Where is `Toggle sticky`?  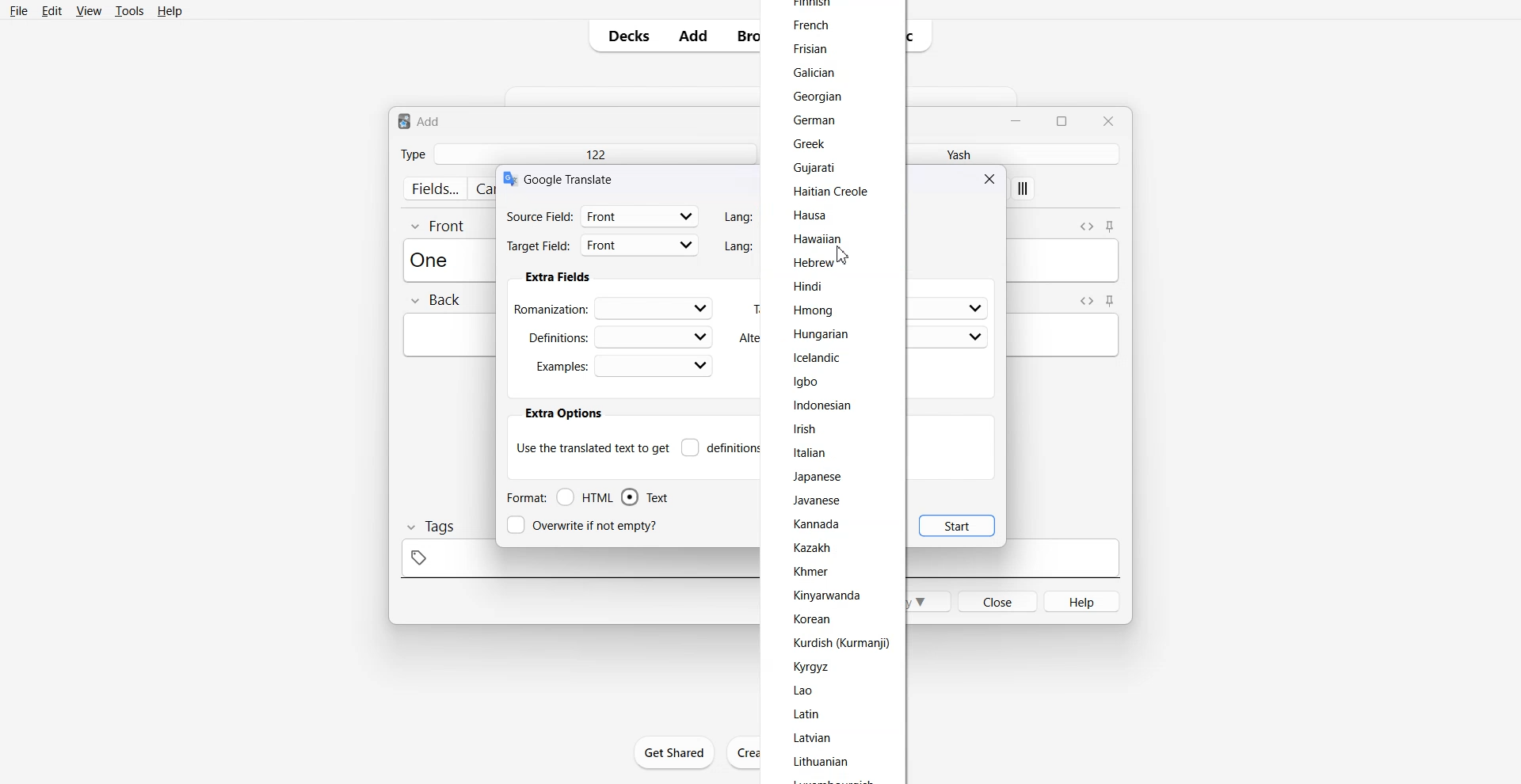 Toggle sticky is located at coordinates (1111, 301).